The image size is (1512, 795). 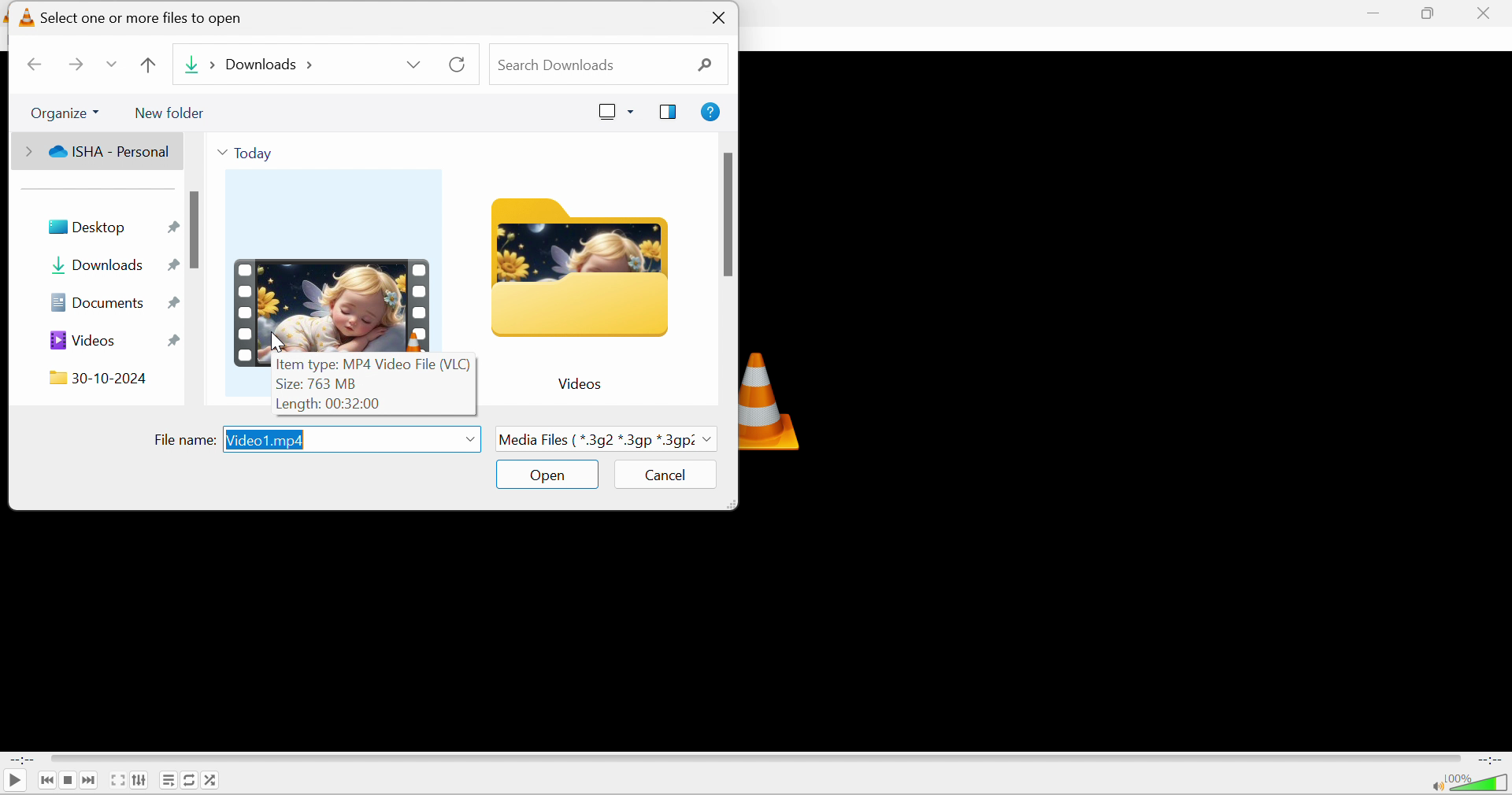 I want to click on Today, so click(x=249, y=152).